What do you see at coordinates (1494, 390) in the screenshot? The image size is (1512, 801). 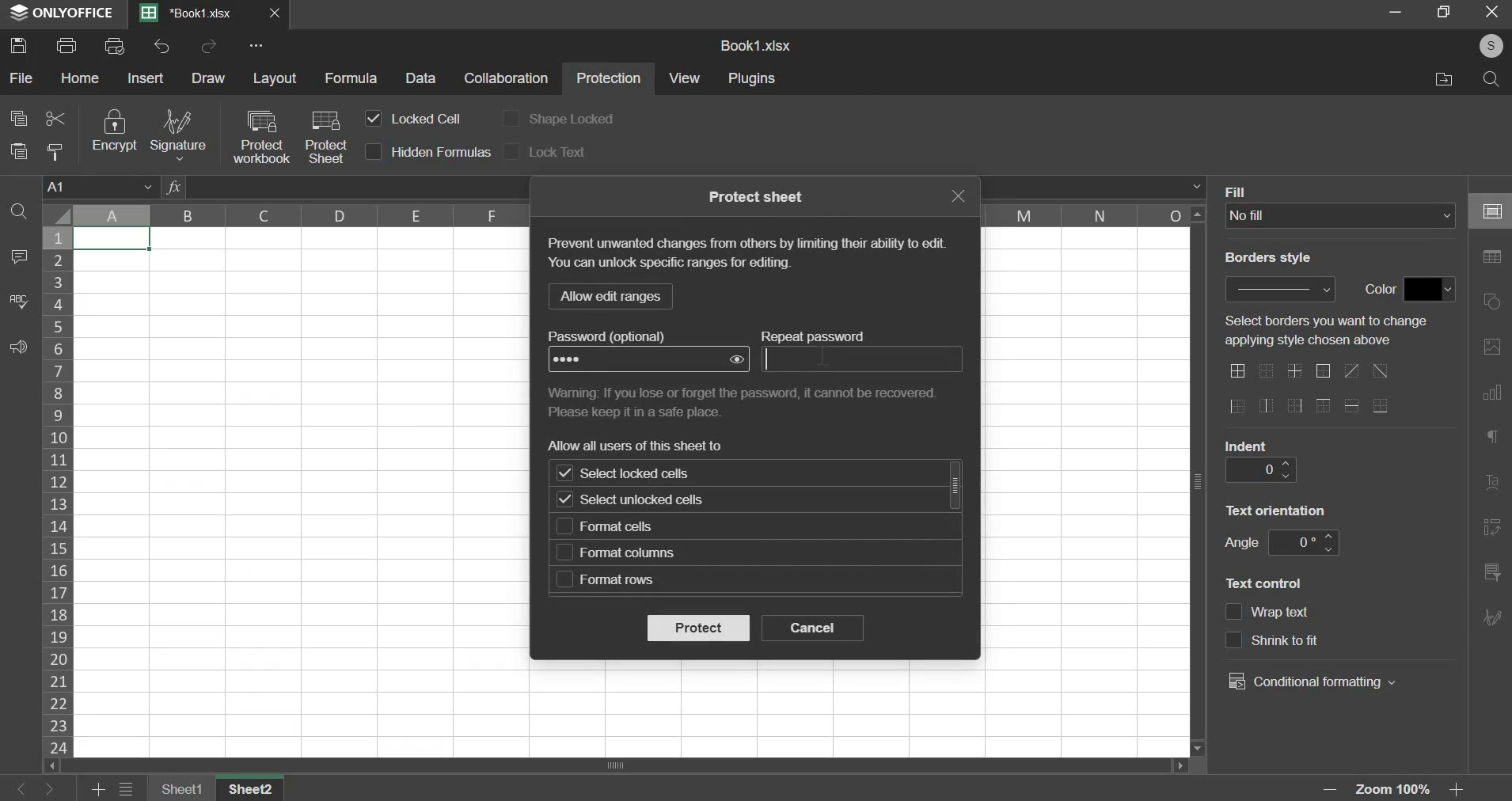 I see `right side bar` at bounding box center [1494, 390].